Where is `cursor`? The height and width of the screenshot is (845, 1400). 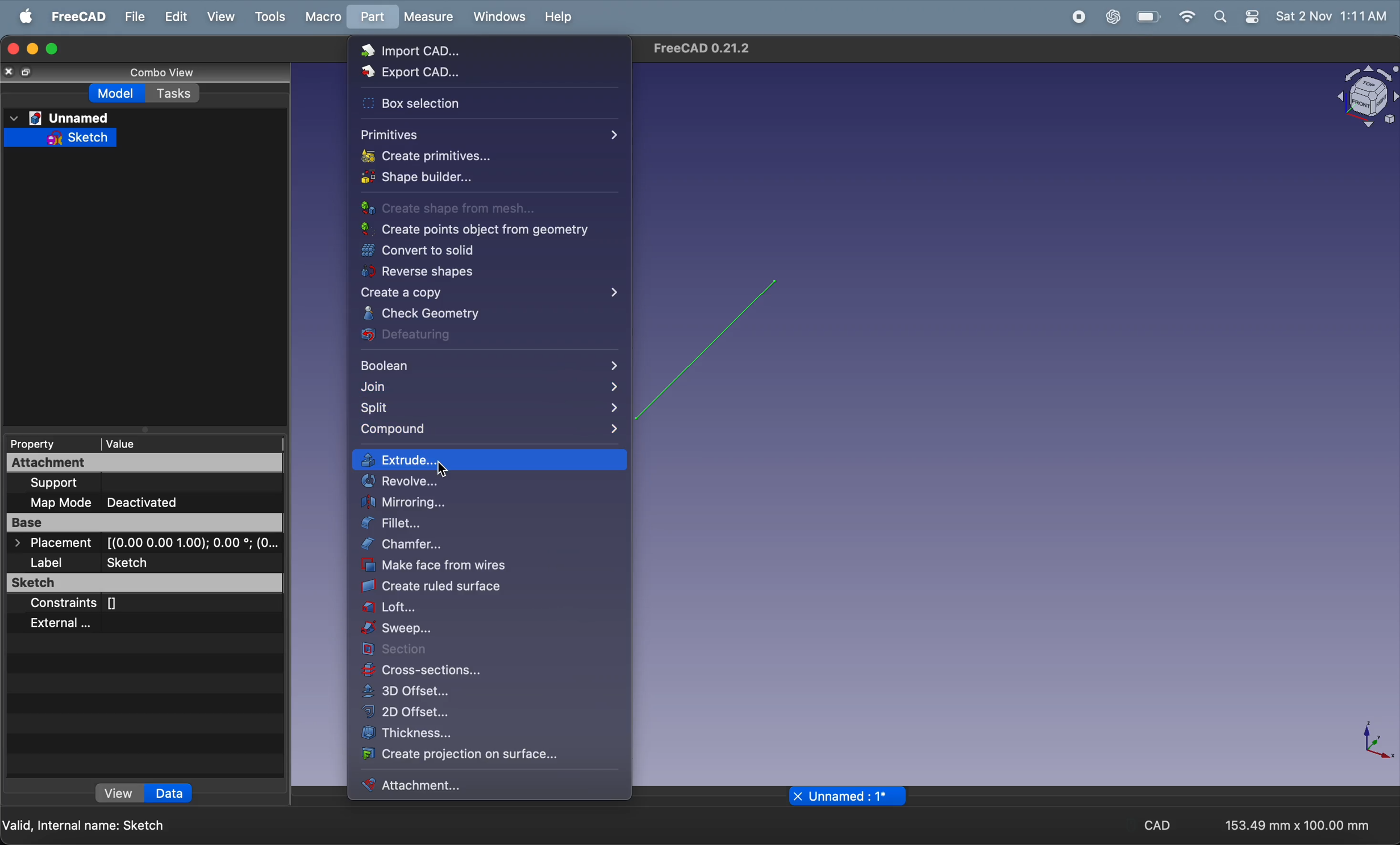
cursor is located at coordinates (441, 470).